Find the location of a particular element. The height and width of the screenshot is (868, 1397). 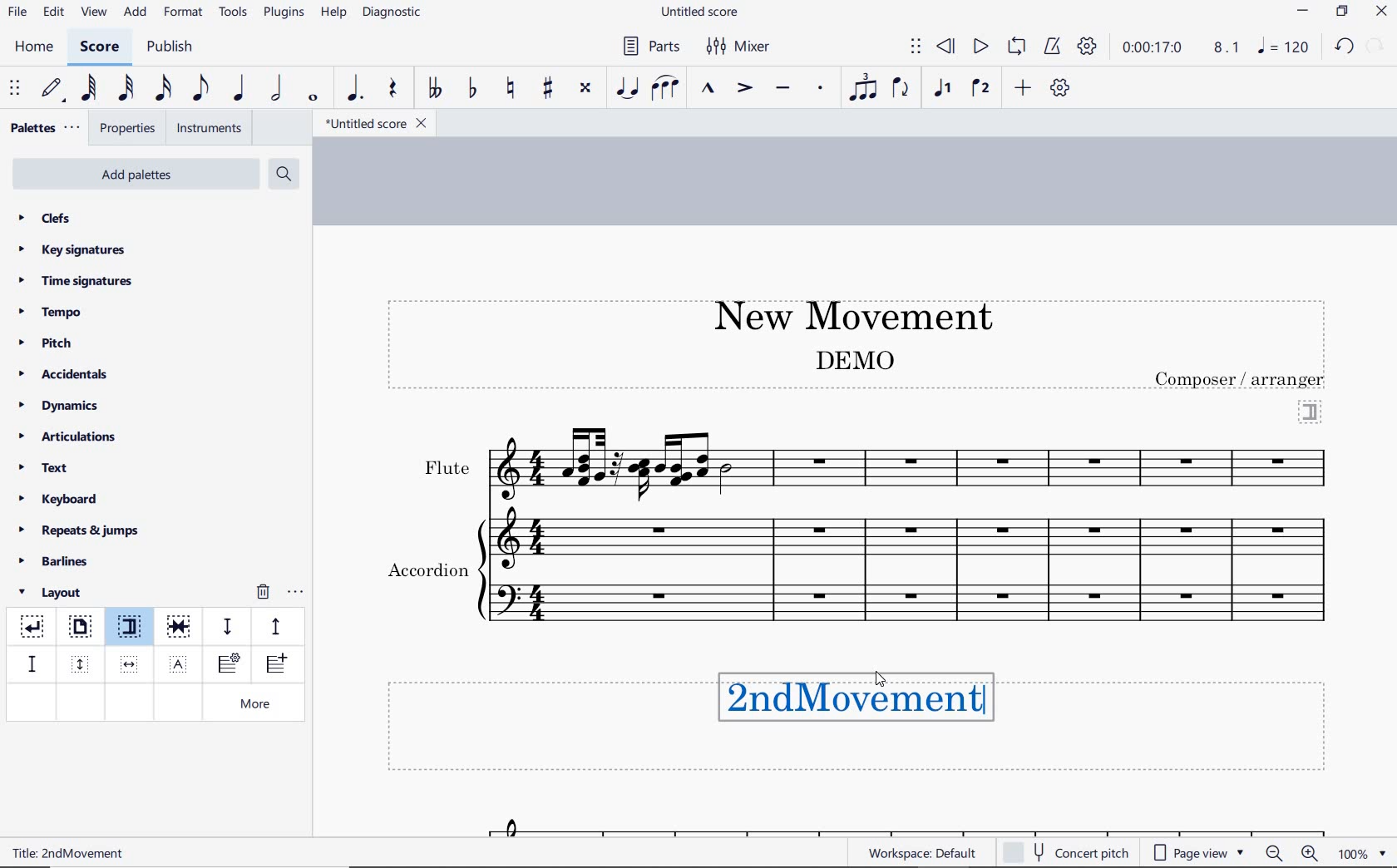

tenuto is located at coordinates (782, 89).